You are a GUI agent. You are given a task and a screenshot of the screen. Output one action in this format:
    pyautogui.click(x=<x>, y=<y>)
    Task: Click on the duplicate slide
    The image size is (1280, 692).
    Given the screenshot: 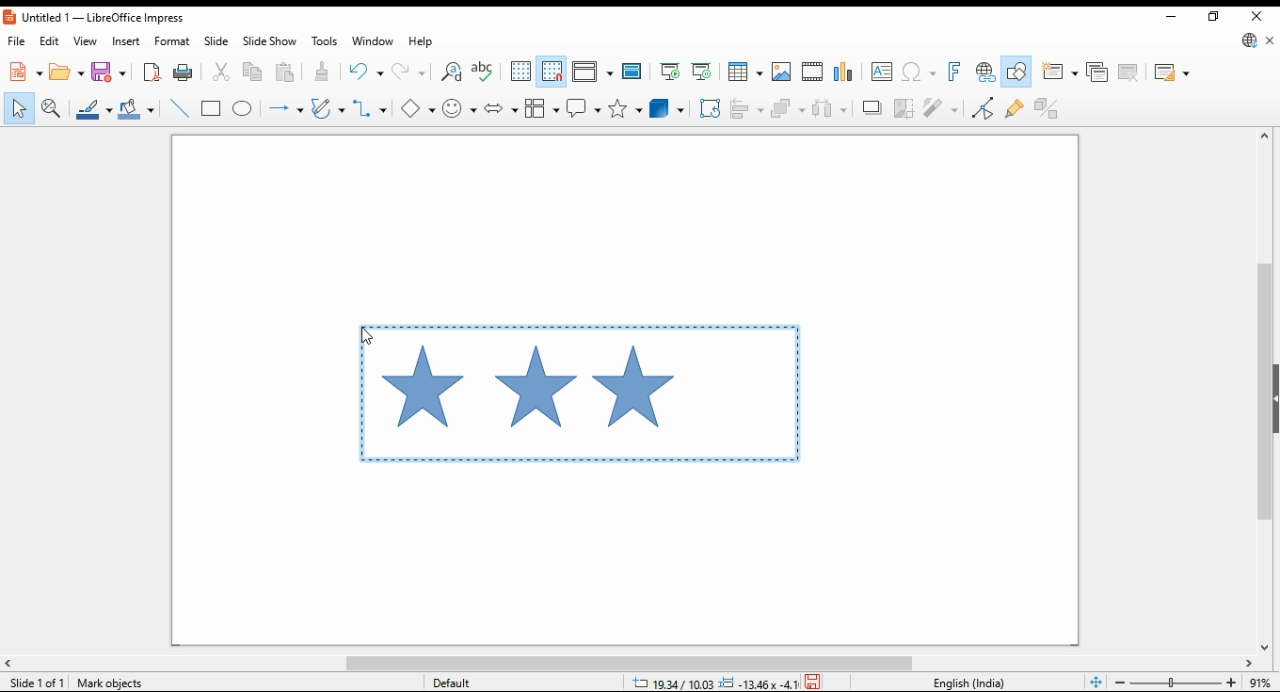 What is the action you would take?
    pyautogui.click(x=1098, y=72)
    